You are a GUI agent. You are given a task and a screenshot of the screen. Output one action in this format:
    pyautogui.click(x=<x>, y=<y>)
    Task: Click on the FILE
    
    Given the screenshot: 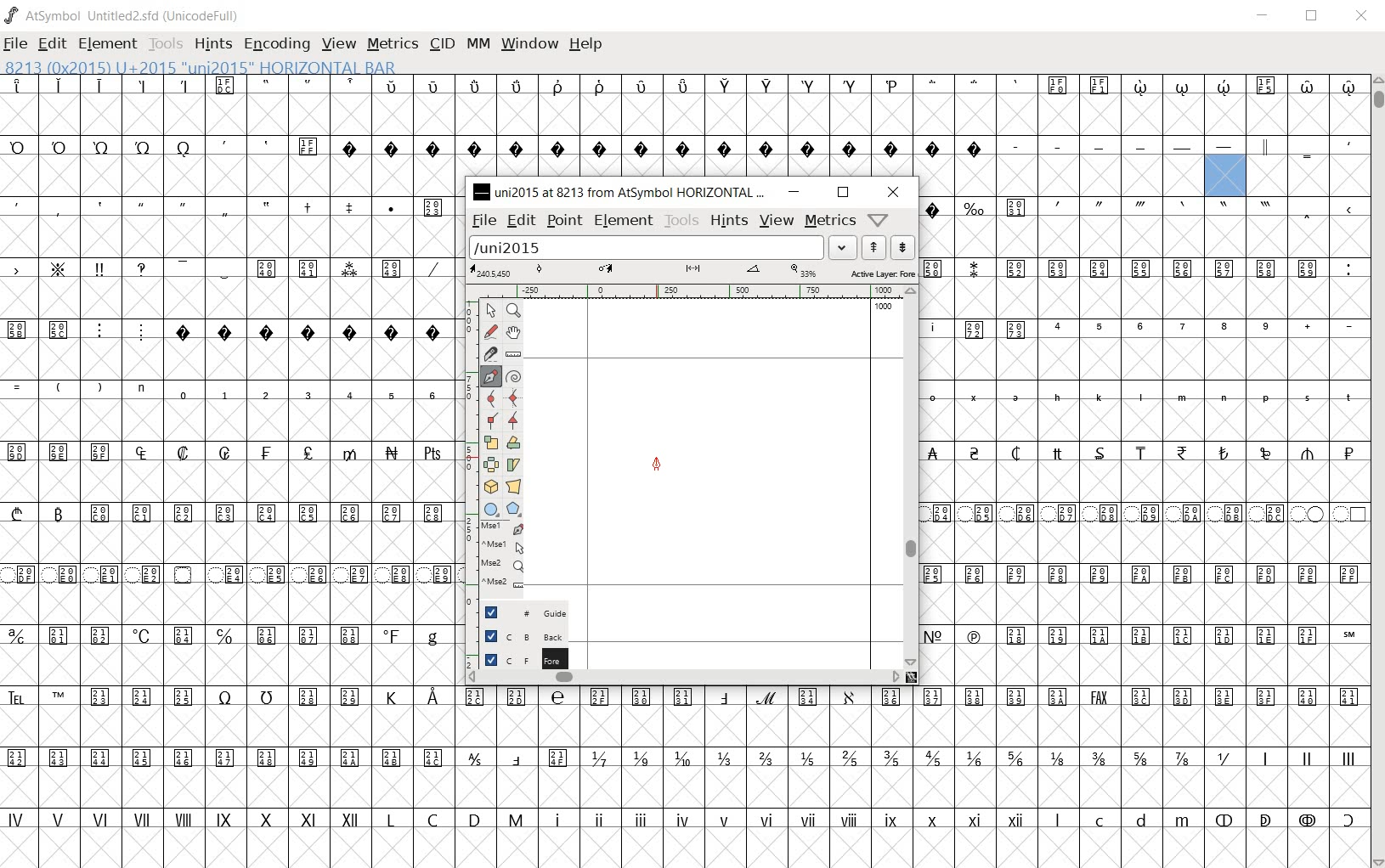 What is the action you would take?
    pyautogui.click(x=18, y=42)
    